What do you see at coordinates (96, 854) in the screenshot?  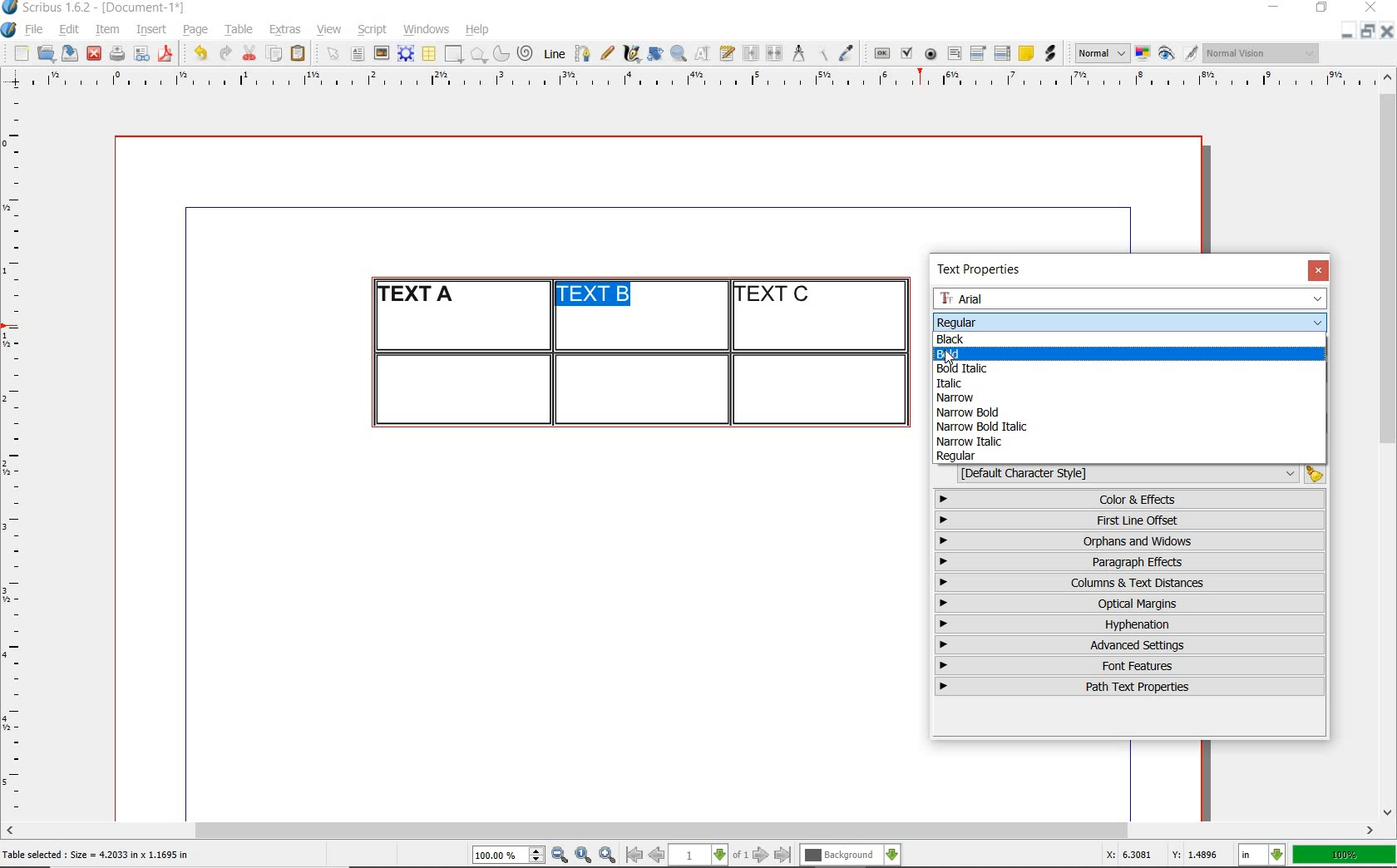 I see `Table selected : Size = 4.2033 in x 1.1695 in` at bounding box center [96, 854].